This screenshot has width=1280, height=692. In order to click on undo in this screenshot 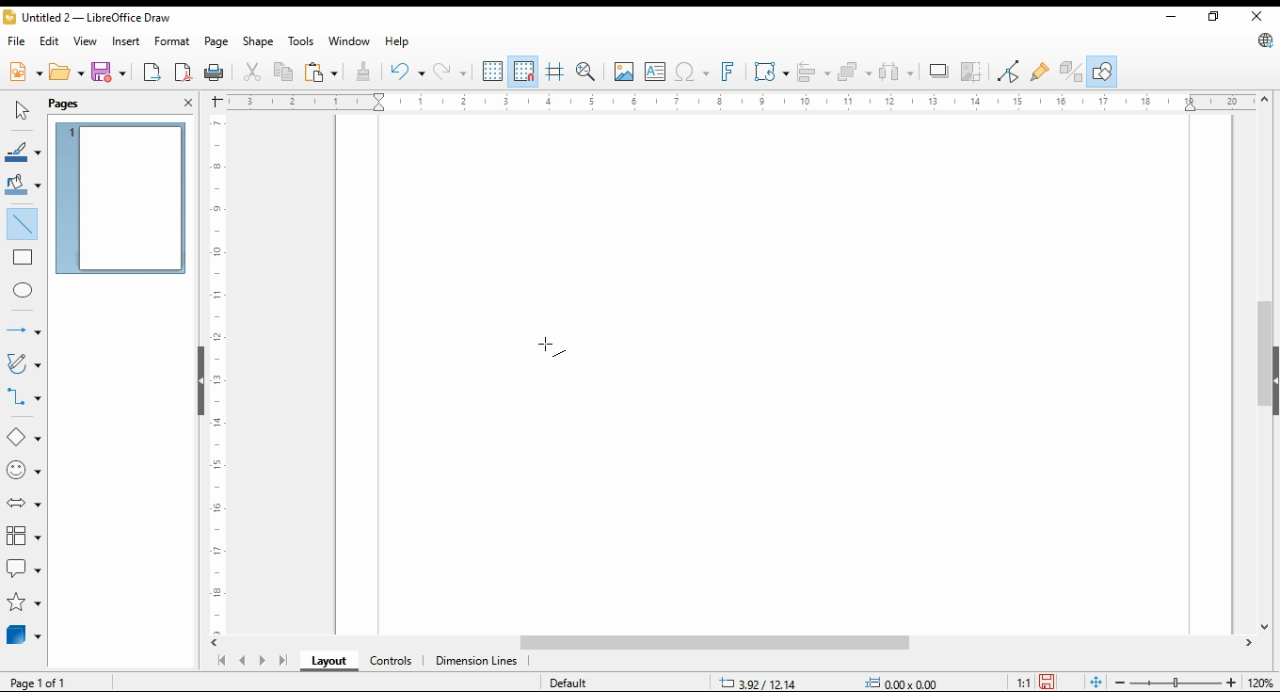, I will do `click(408, 70)`.